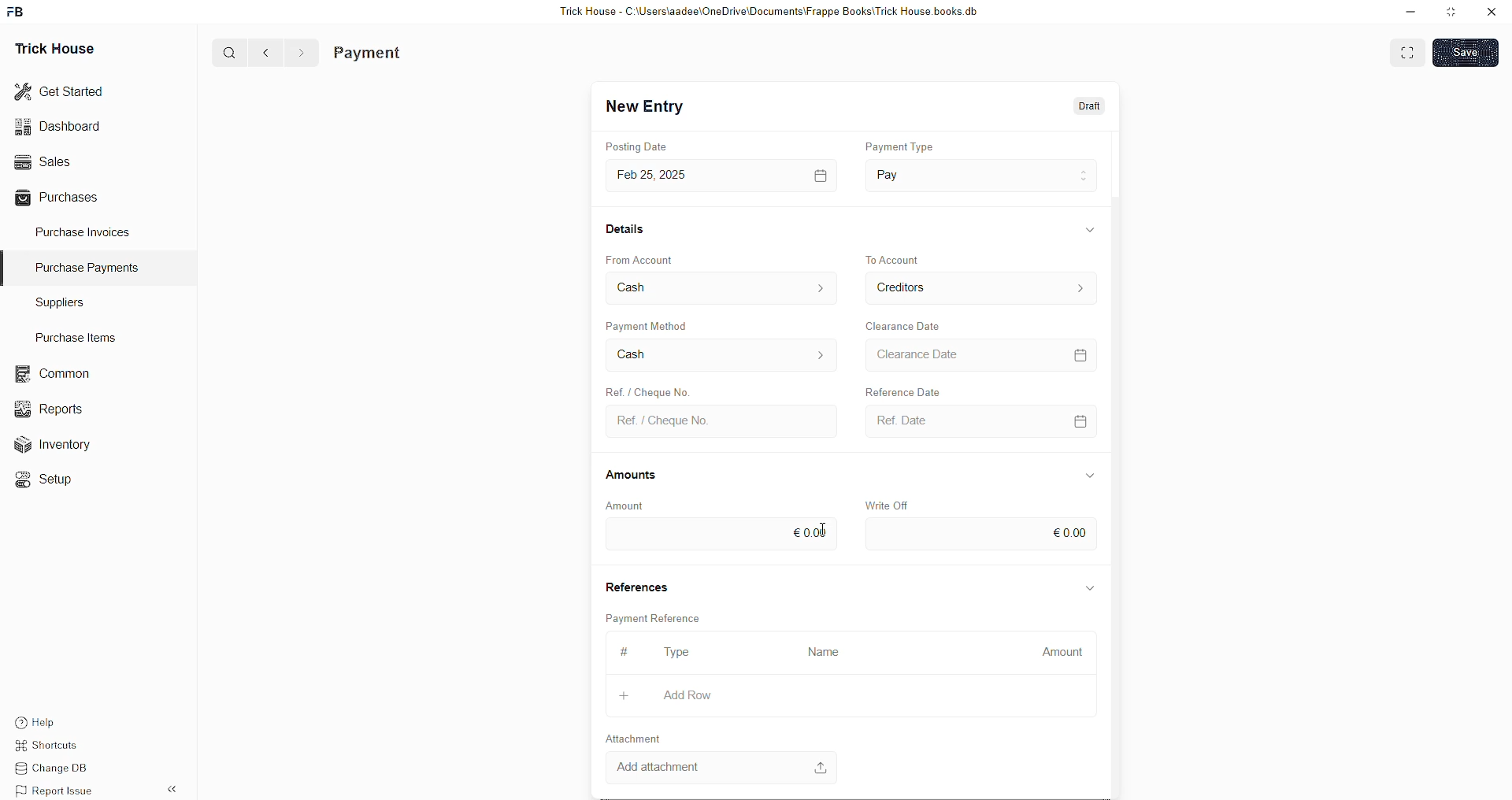 The image size is (1512, 800). What do you see at coordinates (80, 335) in the screenshot?
I see `Purchase Items` at bounding box center [80, 335].